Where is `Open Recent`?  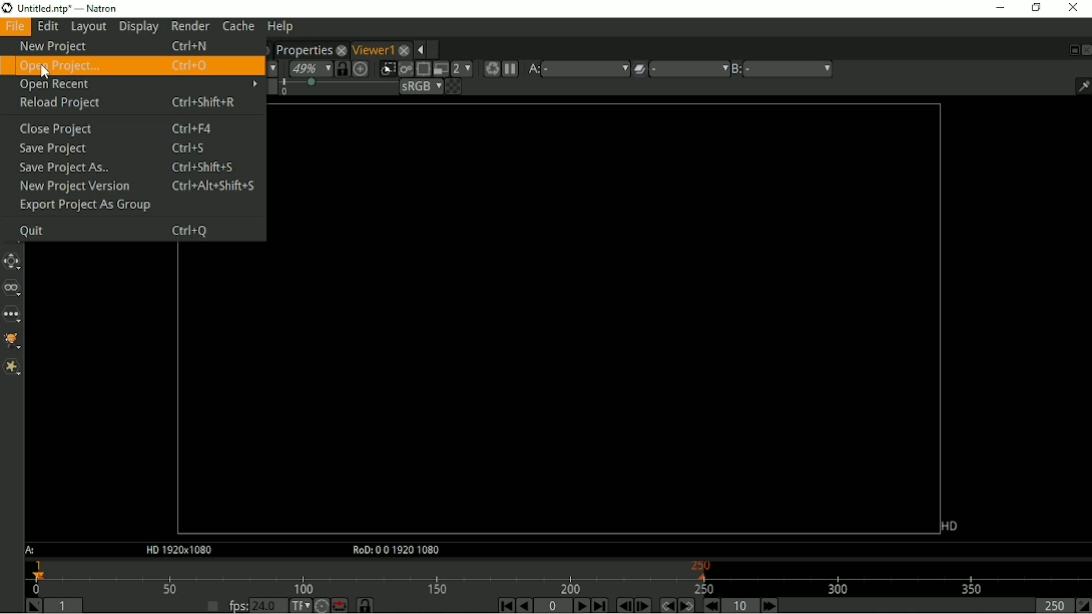 Open Recent is located at coordinates (137, 85).